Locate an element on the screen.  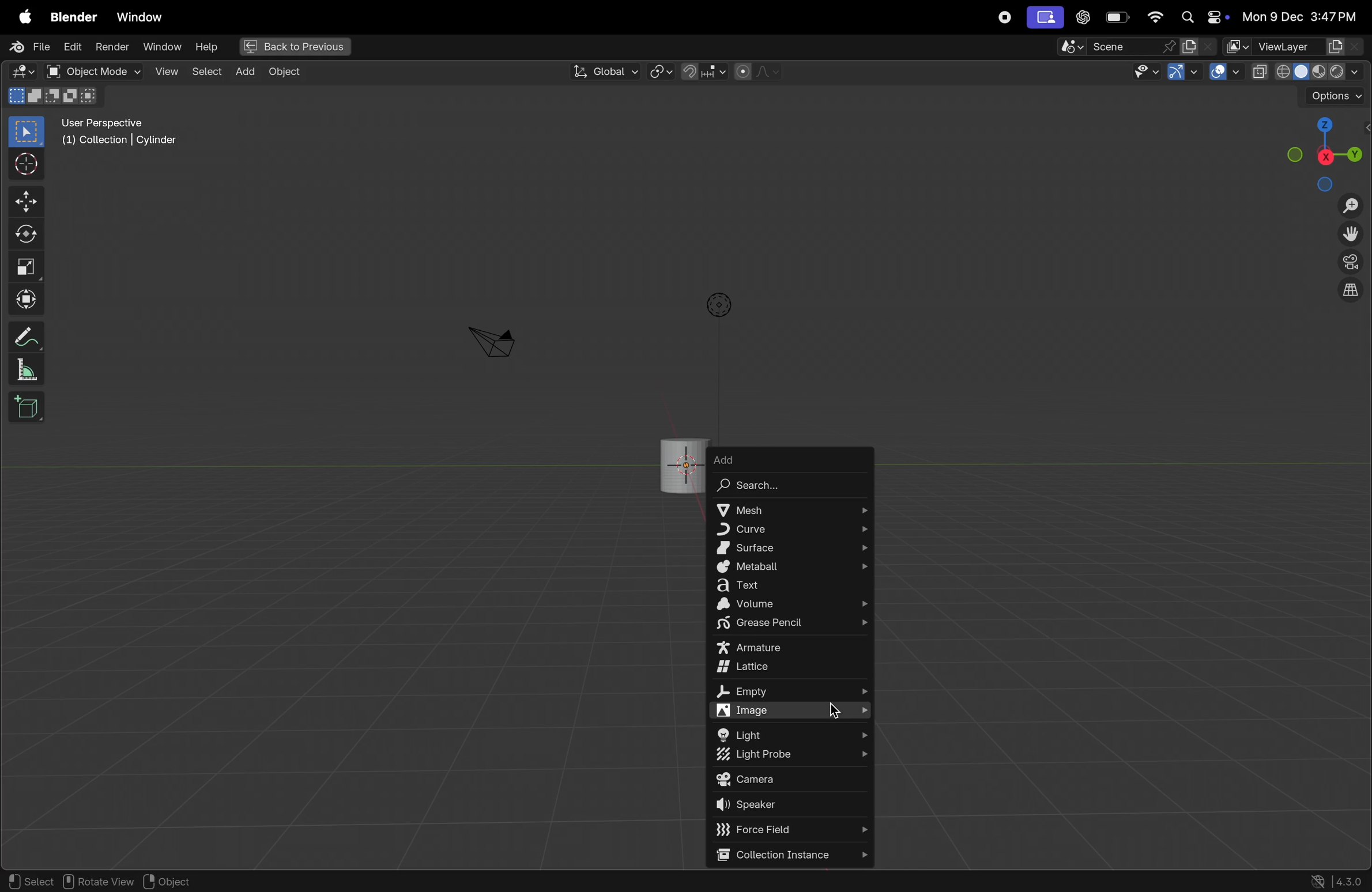
camera is located at coordinates (790, 780).